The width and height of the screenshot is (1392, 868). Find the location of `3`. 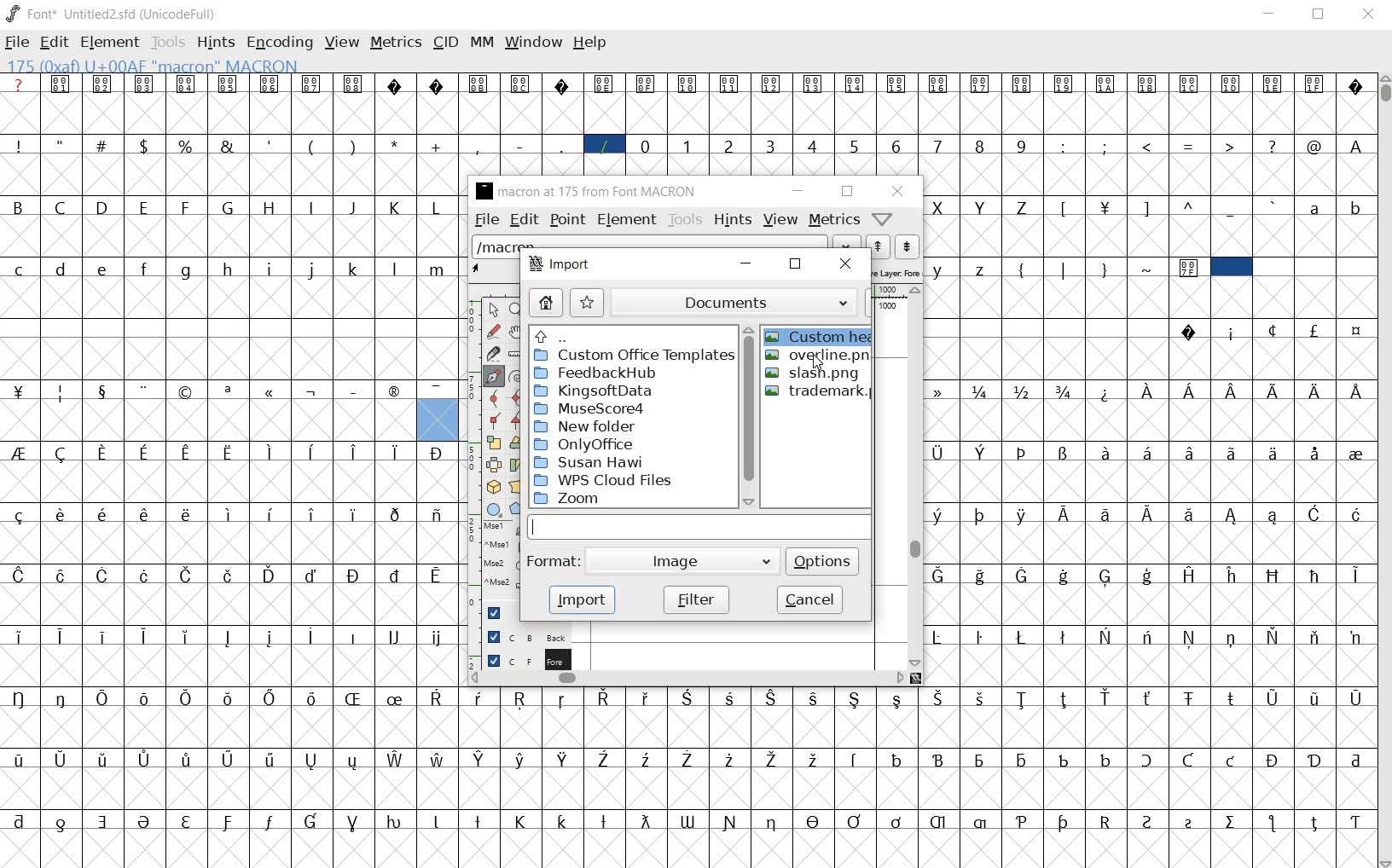

3 is located at coordinates (772, 146).